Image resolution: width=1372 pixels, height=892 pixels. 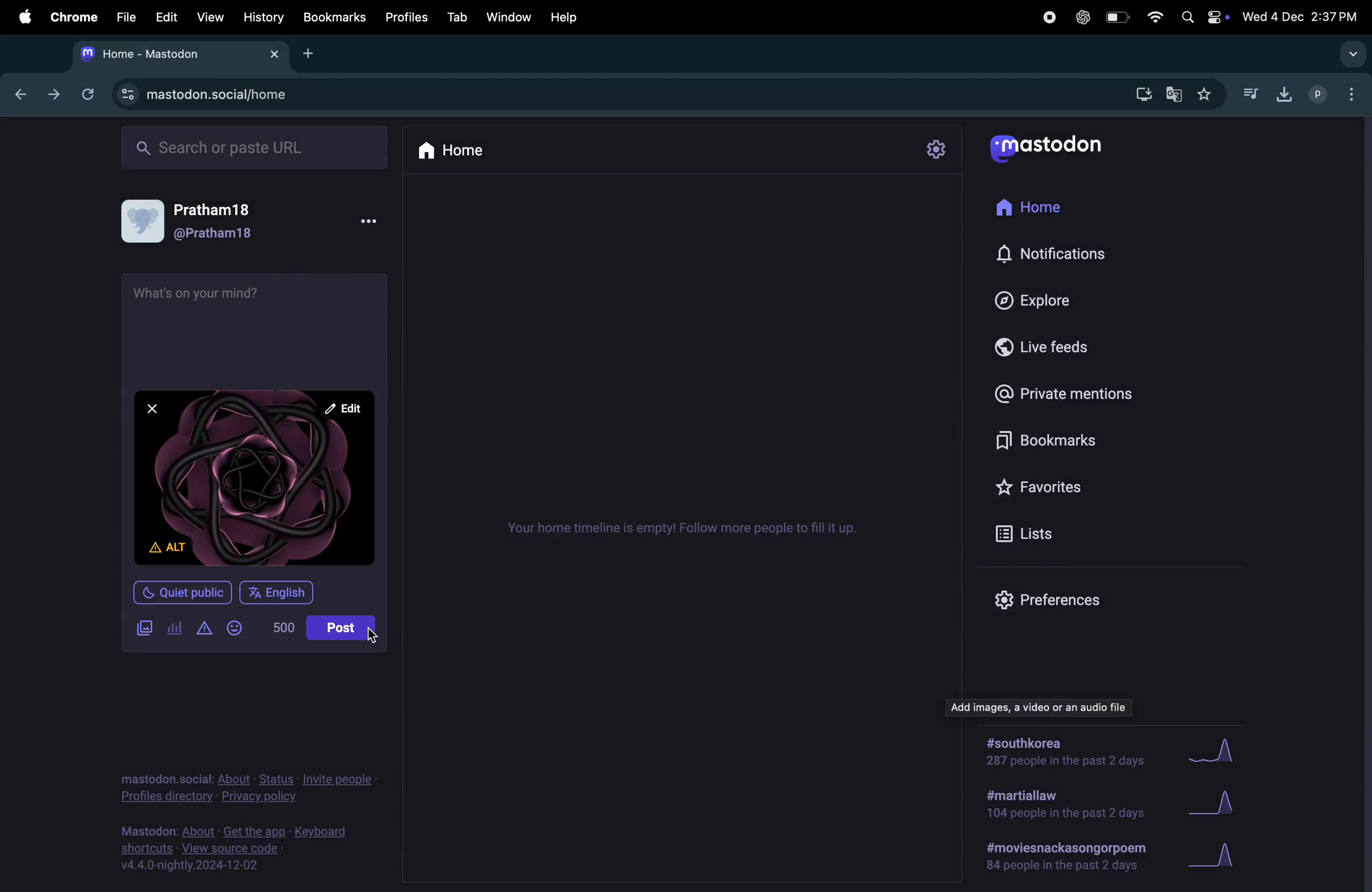 I want to click on backward, so click(x=21, y=92).